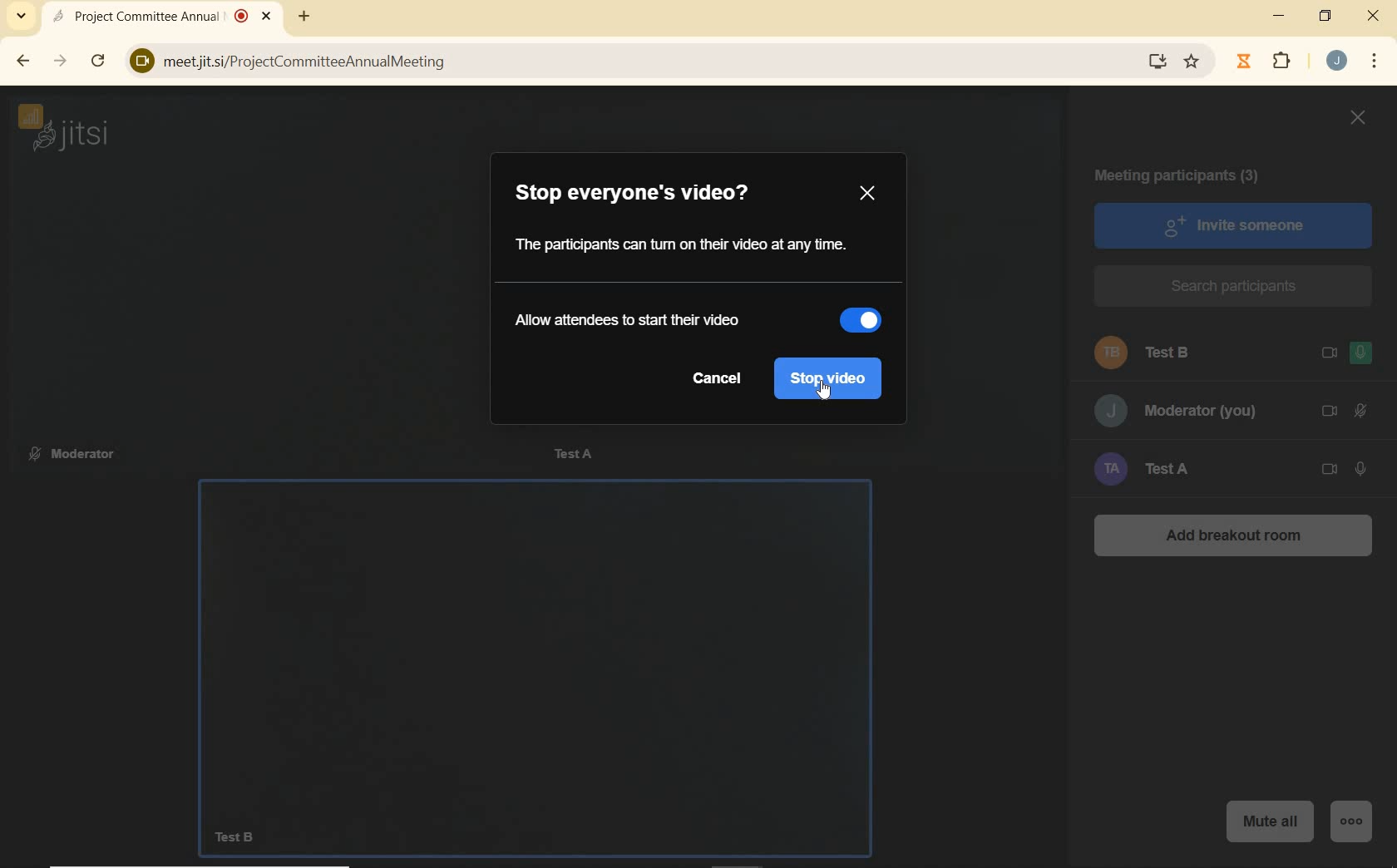 The image size is (1397, 868). What do you see at coordinates (1235, 534) in the screenshot?
I see `ADD BREAKOUT ROOM` at bounding box center [1235, 534].